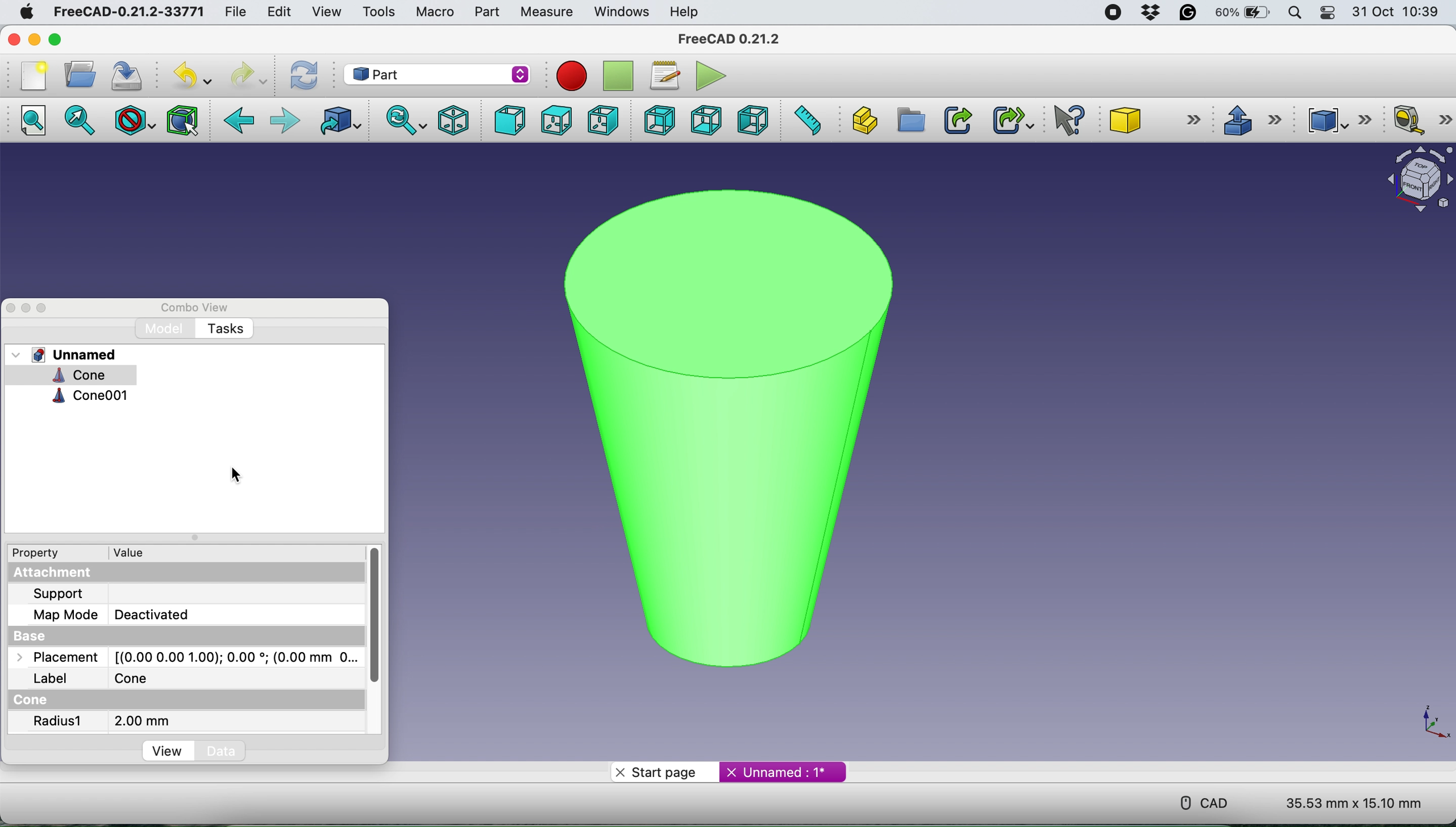 Image resolution: width=1456 pixels, height=827 pixels. Describe the element at coordinates (664, 73) in the screenshot. I see `macros` at that location.